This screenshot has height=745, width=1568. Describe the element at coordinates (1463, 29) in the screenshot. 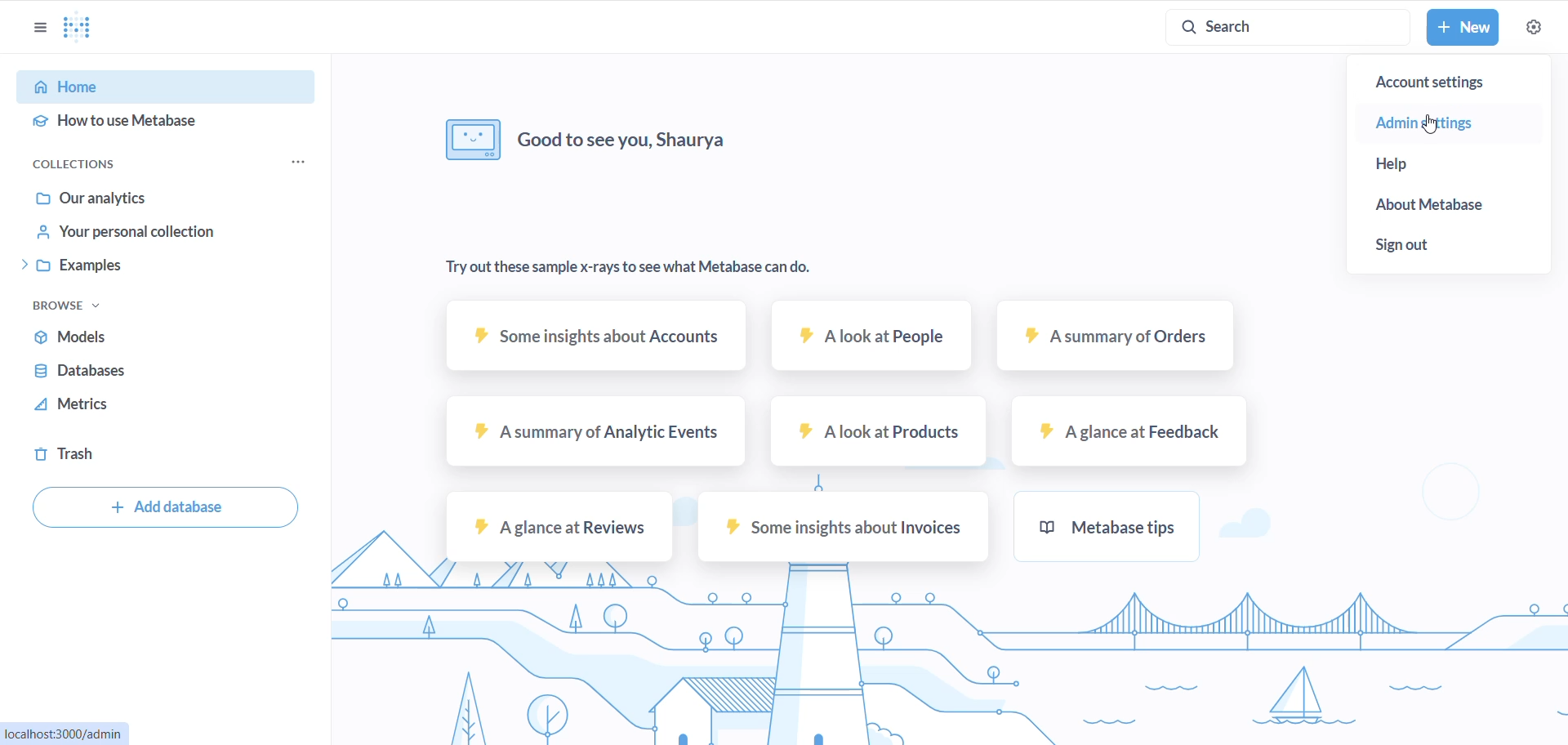

I see `new button` at that location.